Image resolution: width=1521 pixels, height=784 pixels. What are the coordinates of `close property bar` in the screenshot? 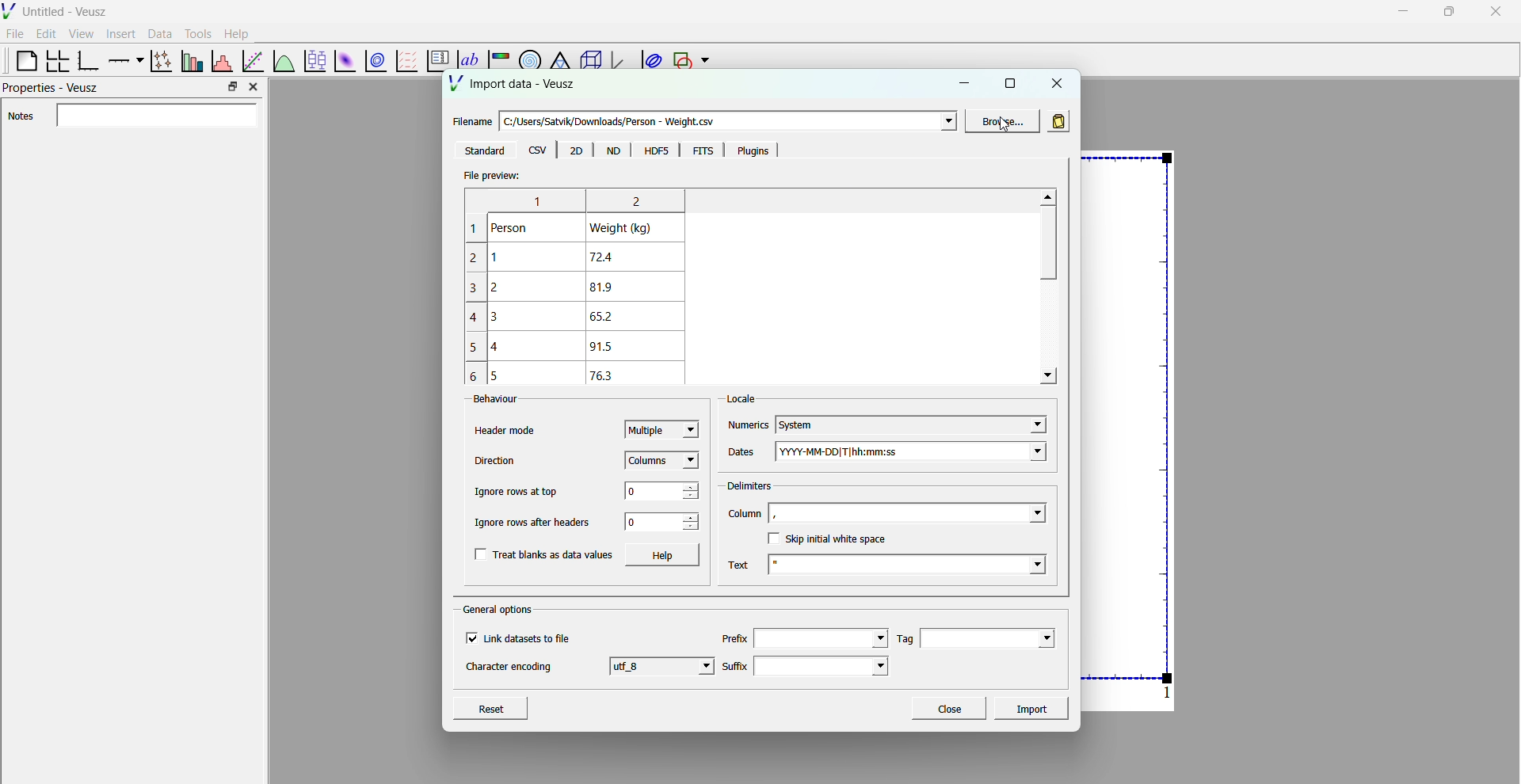 It's located at (255, 86).